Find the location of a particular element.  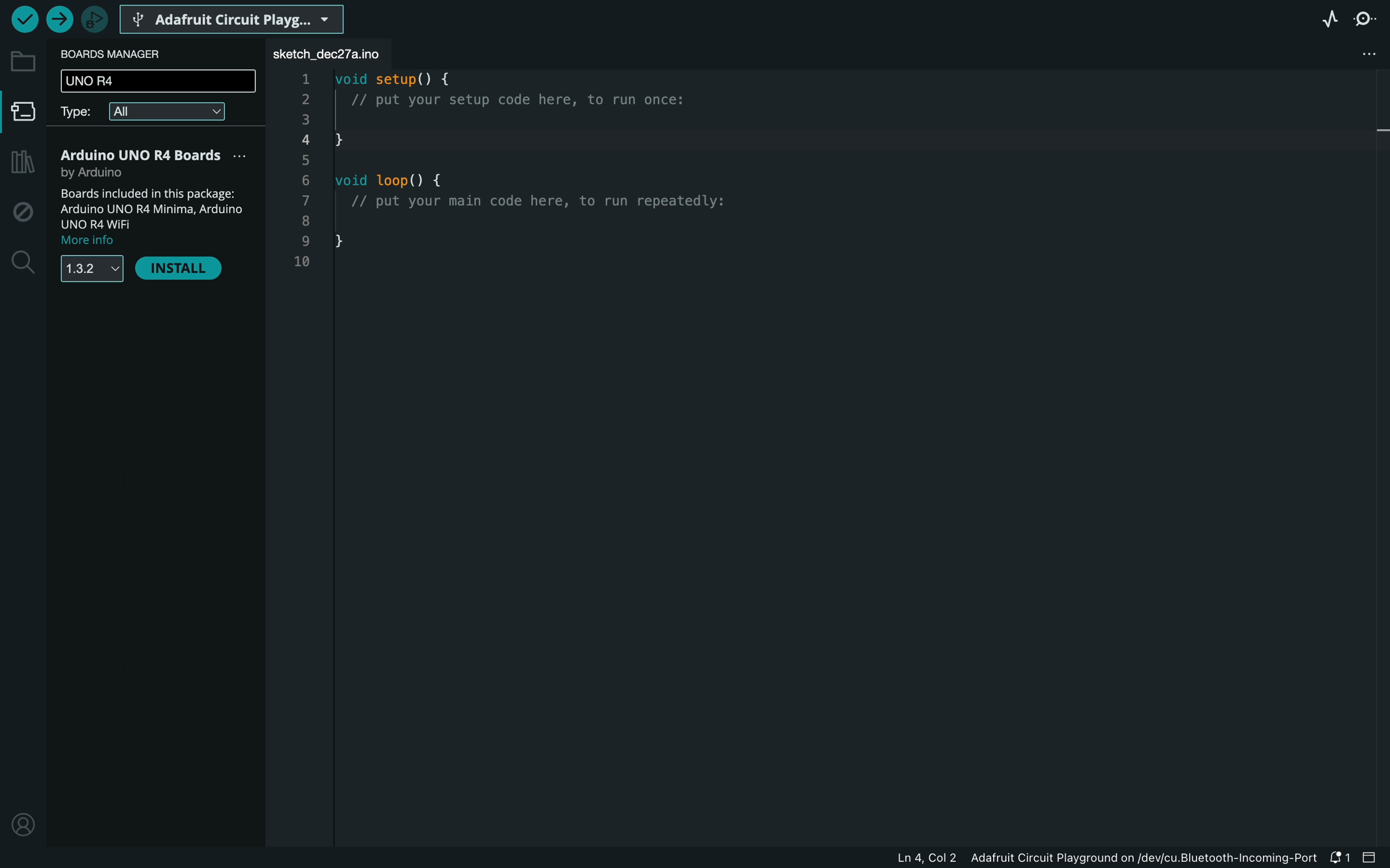

close slide bar is located at coordinates (1371, 857).